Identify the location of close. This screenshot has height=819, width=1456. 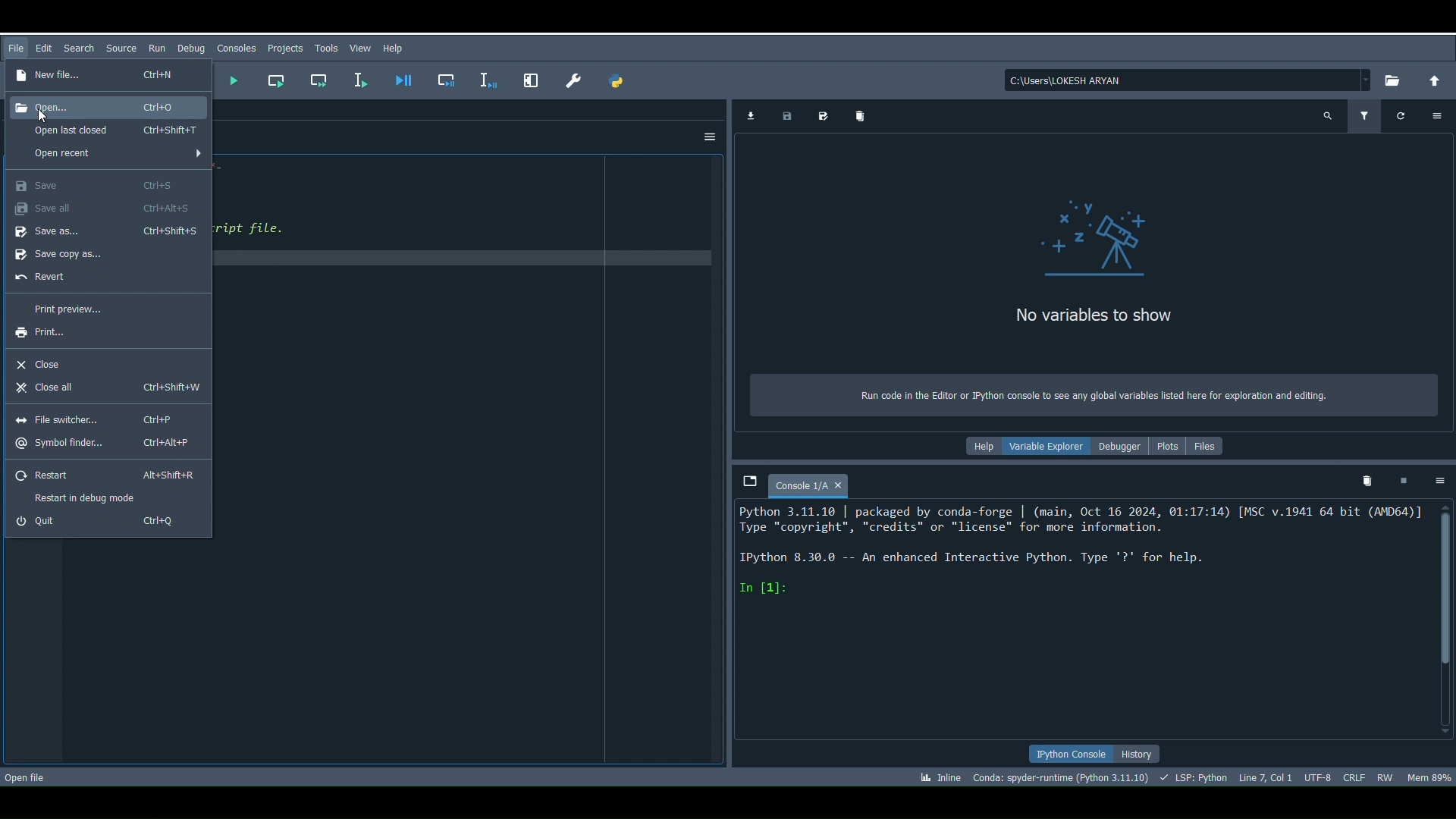
(840, 487).